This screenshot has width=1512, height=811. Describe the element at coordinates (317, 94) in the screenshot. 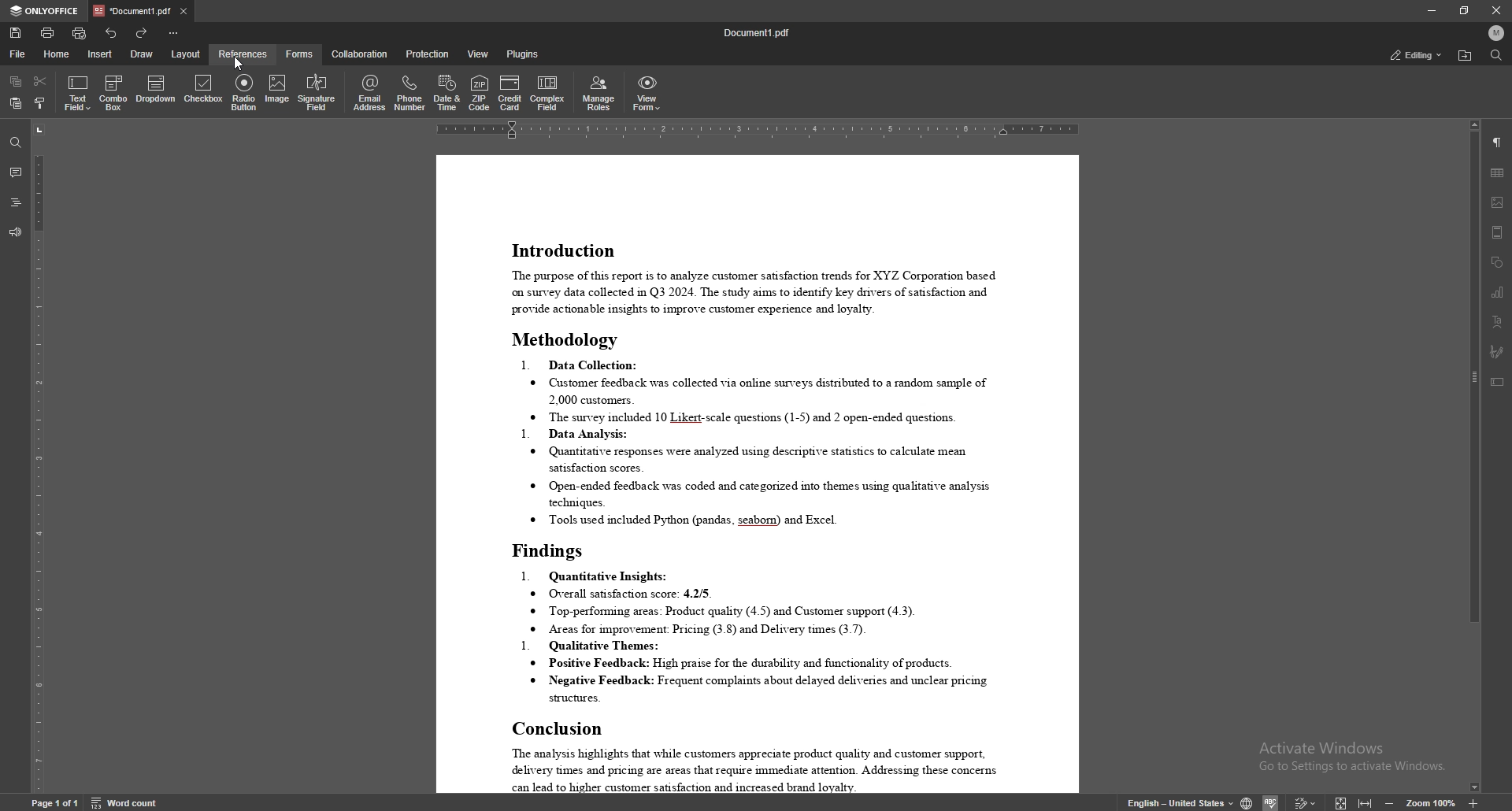

I see `signature field` at that location.